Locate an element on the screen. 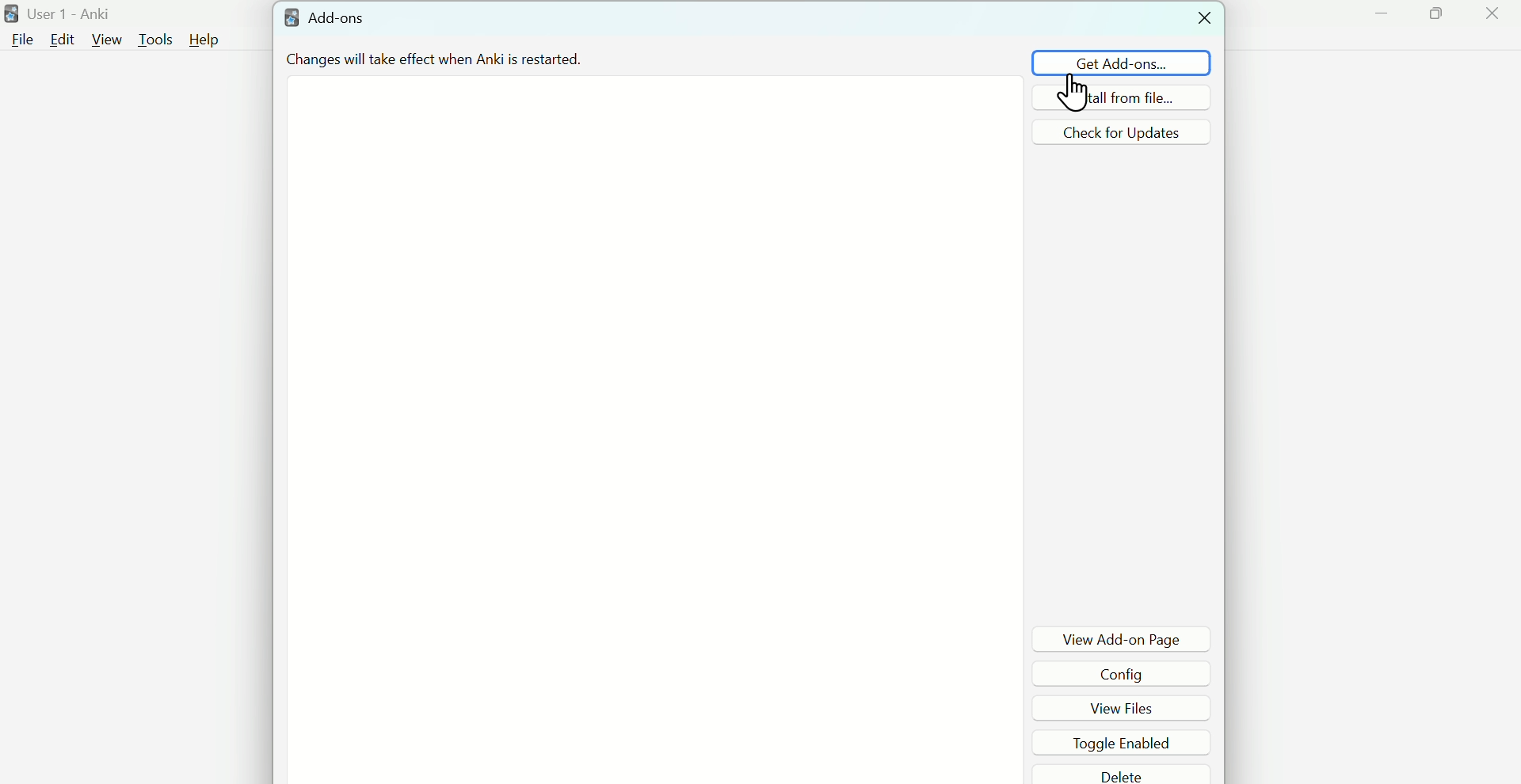  Help is located at coordinates (204, 40).